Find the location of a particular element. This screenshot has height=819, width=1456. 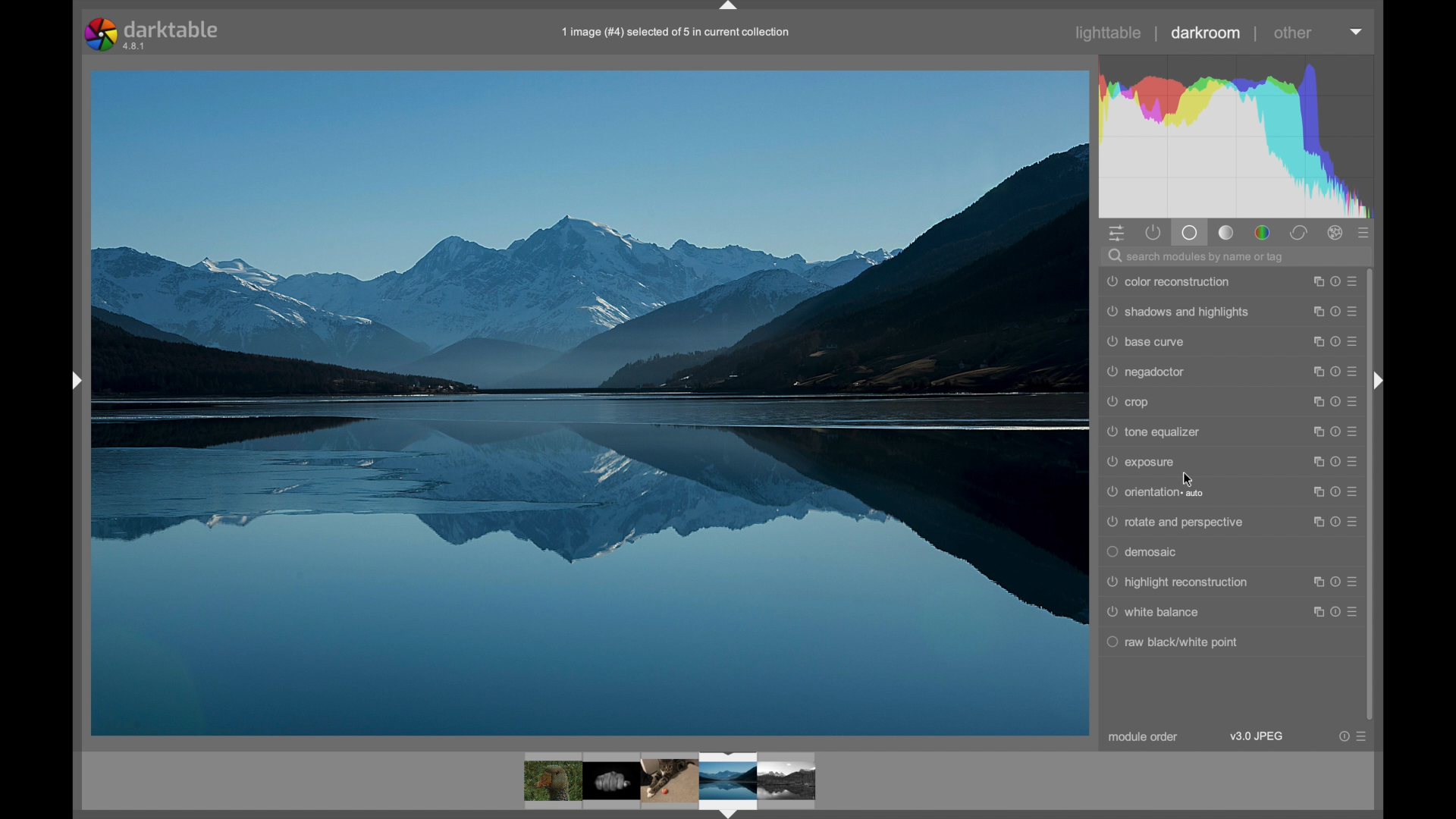

negadoctor is located at coordinates (1146, 372).